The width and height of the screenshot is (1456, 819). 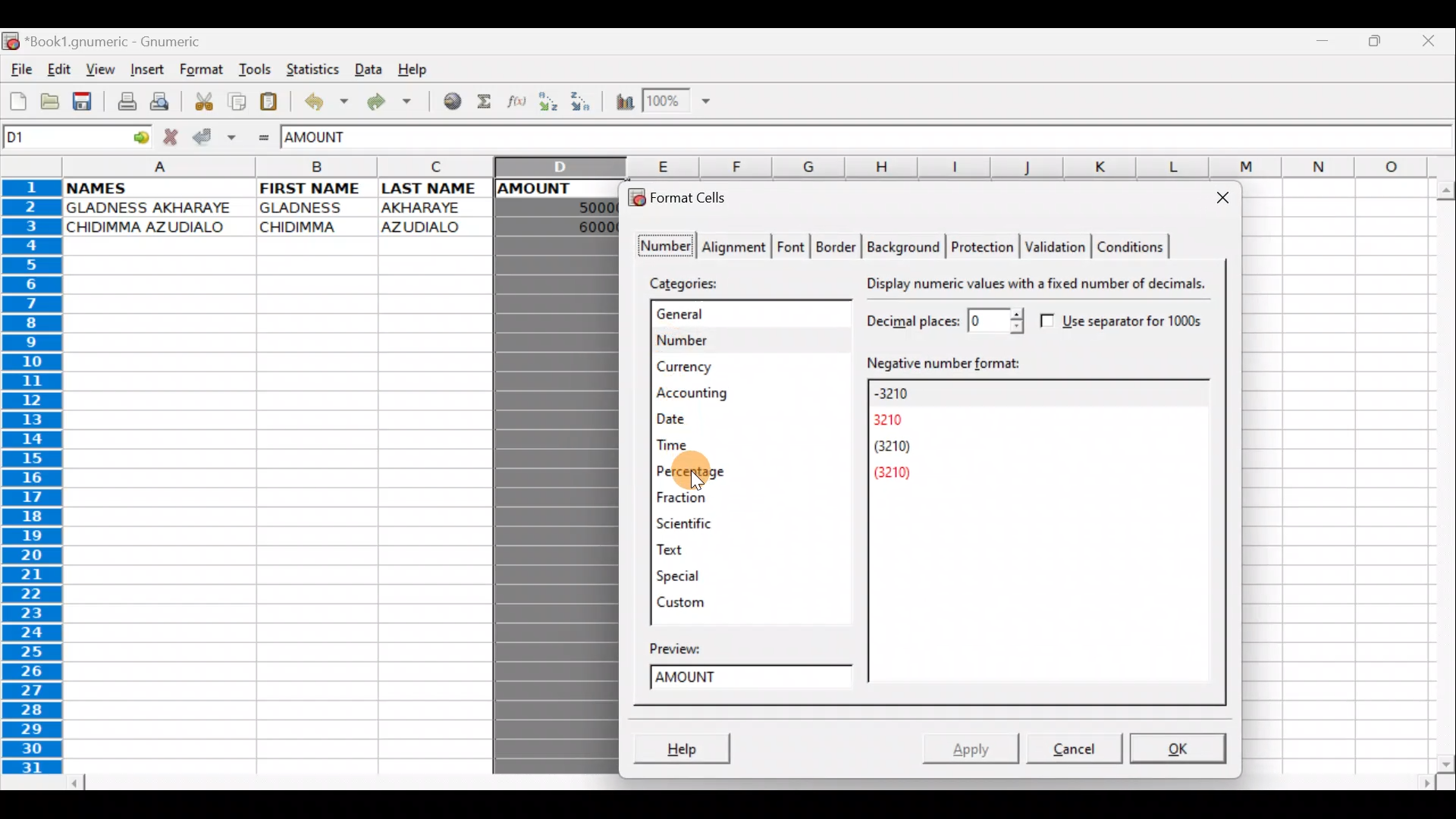 I want to click on Cursor on percentage, so click(x=764, y=472).